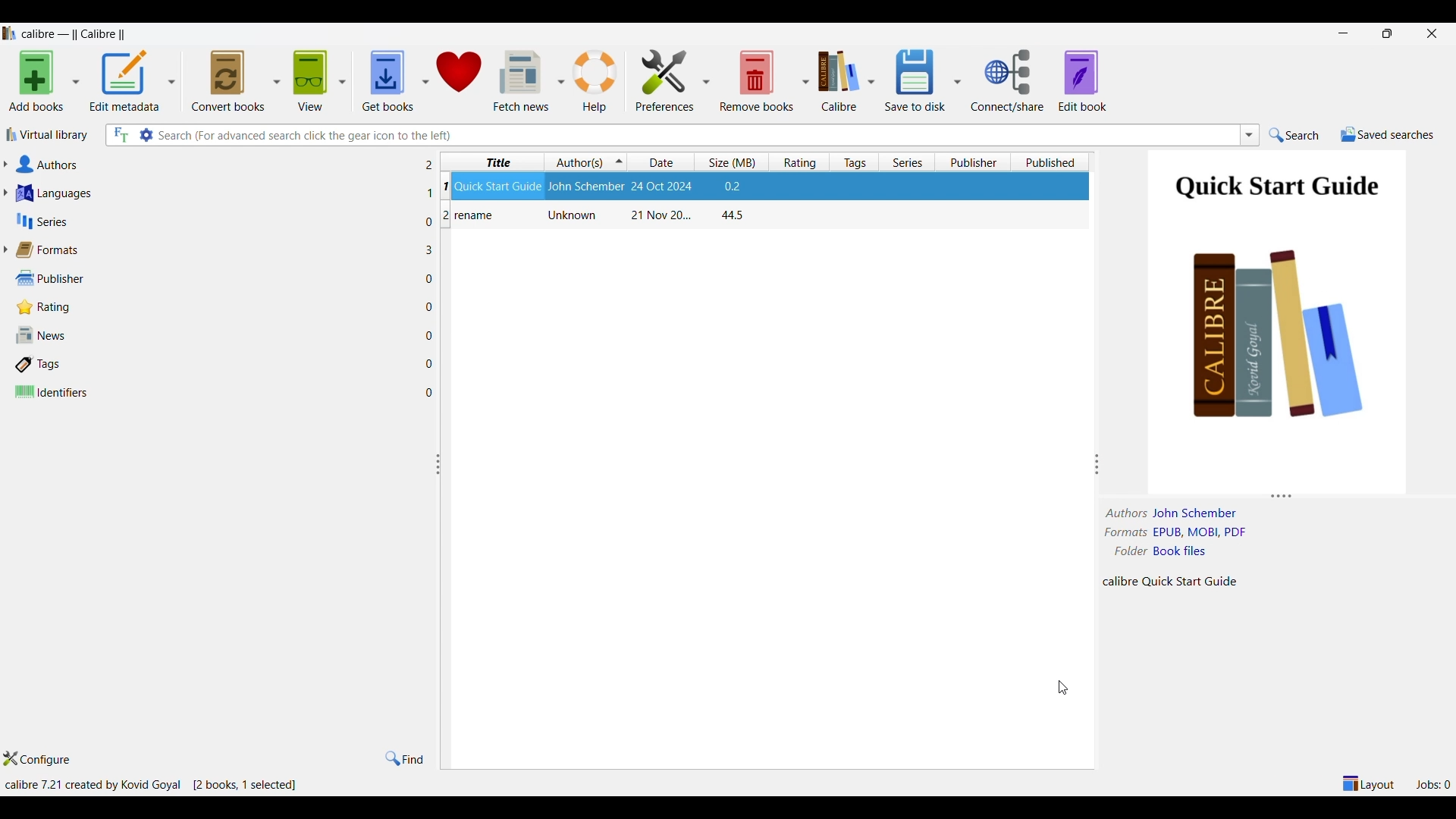 The height and width of the screenshot is (819, 1456). I want to click on formats, so click(1126, 532).